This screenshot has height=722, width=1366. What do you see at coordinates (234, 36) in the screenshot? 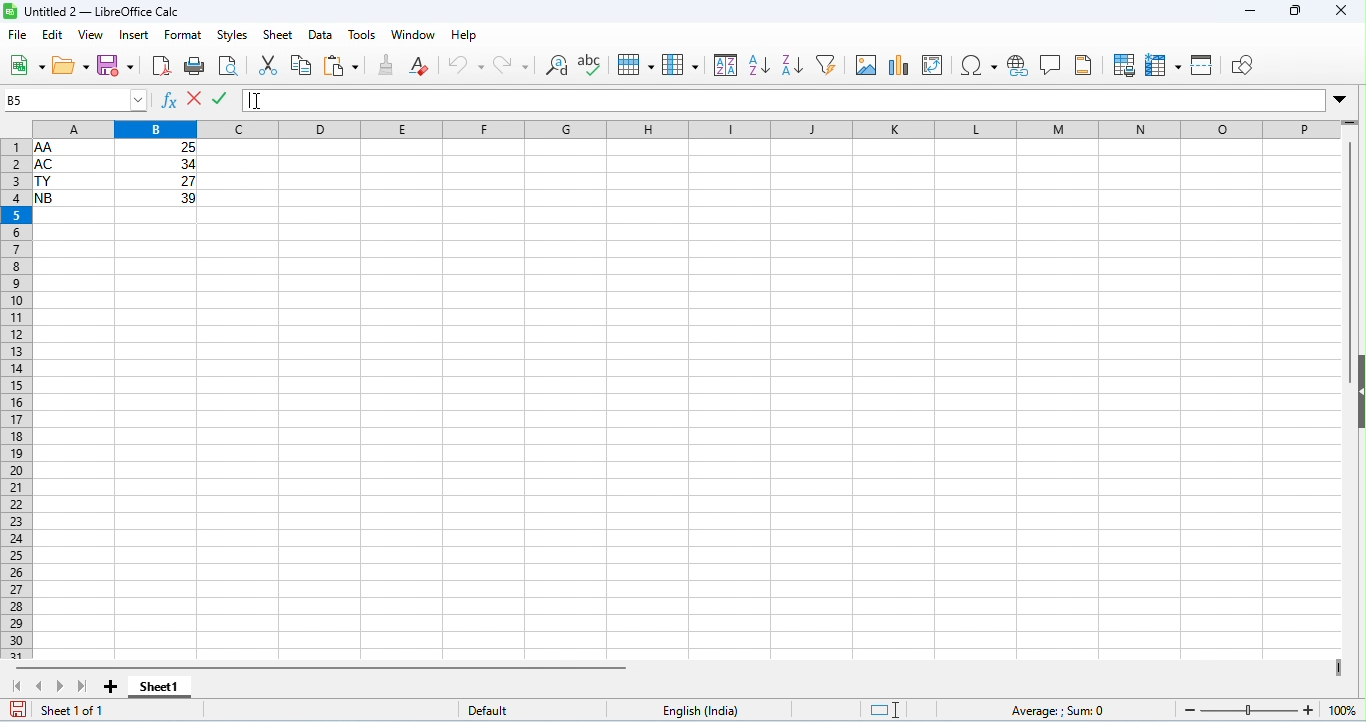
I see `styles` at bounding box center [234, 36].